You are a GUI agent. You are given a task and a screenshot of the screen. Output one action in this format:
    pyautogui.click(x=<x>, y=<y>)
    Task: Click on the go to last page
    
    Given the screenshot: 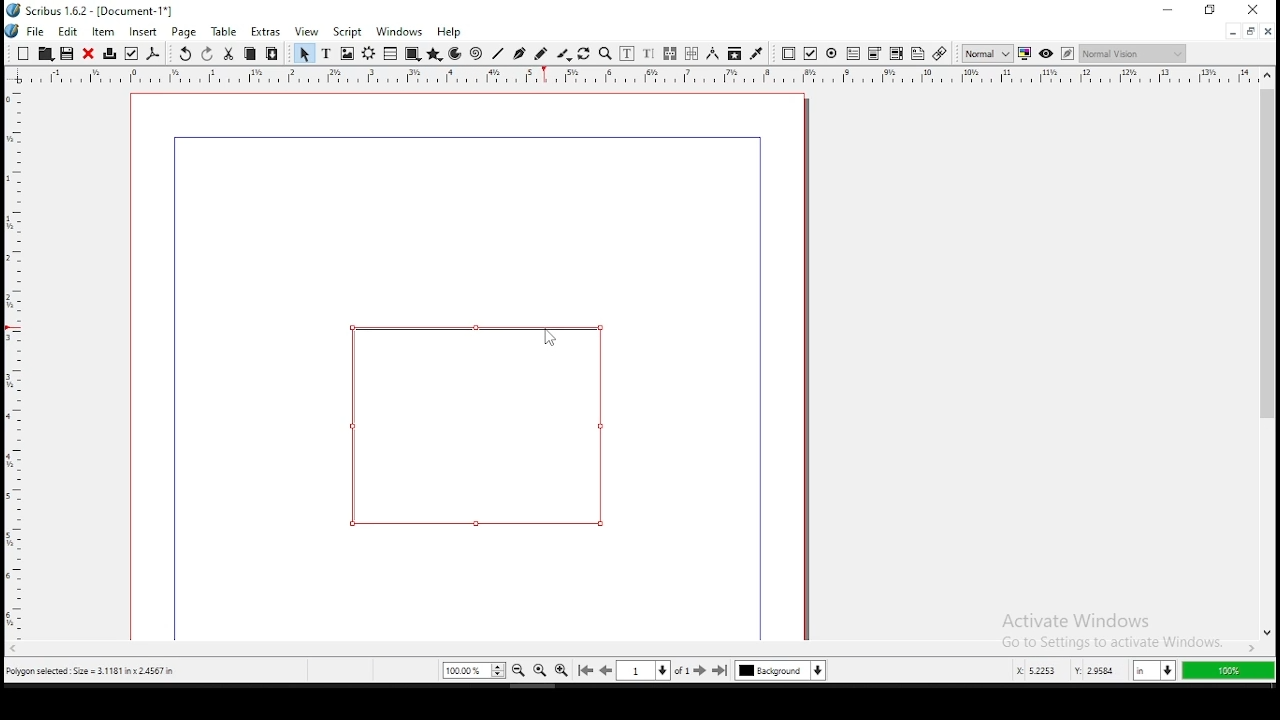 What is the action you would take?
    pyautogui.click(x=722, y=671)
    